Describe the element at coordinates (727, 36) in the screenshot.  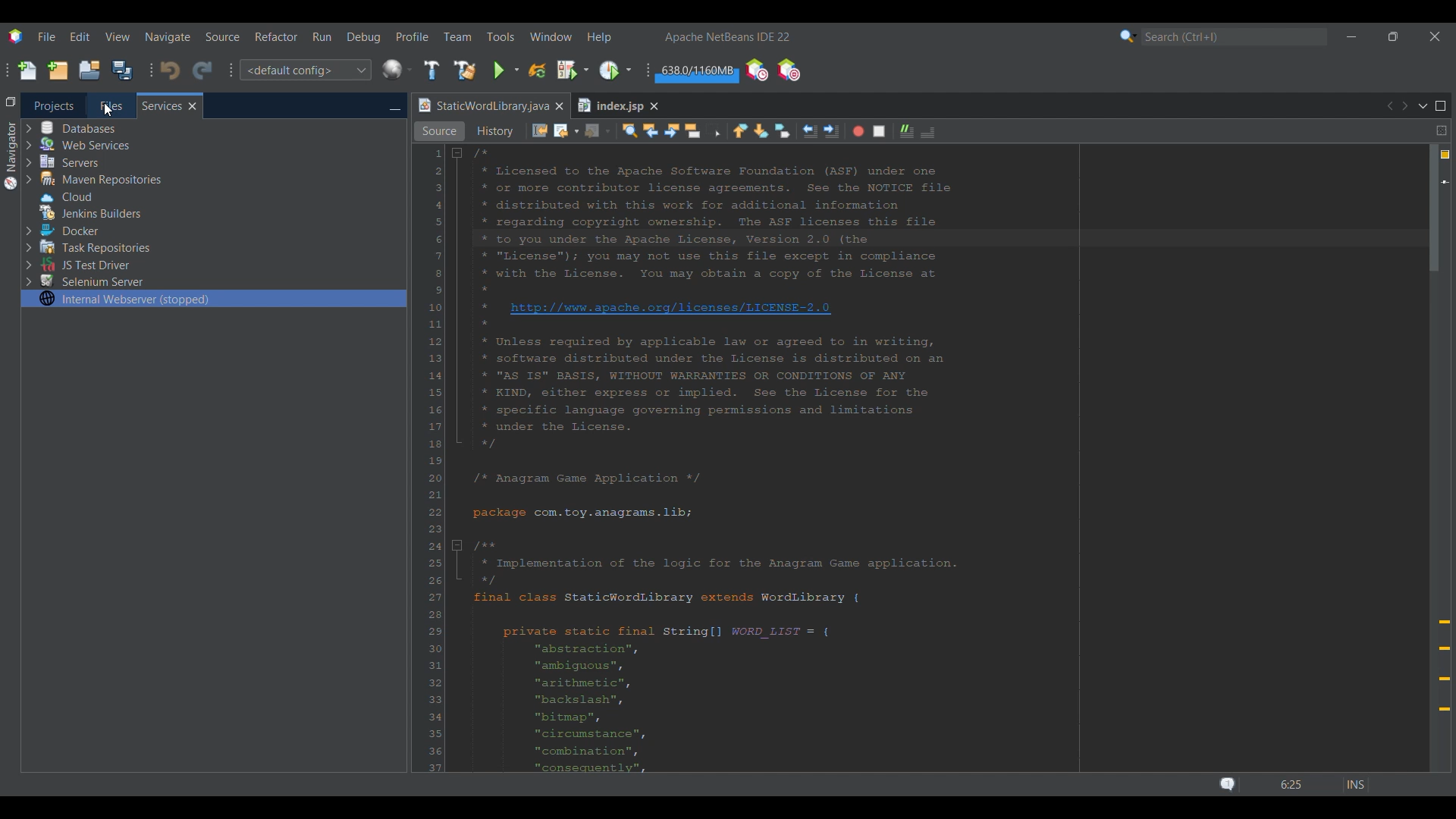
I see `Software name and version` at that location.